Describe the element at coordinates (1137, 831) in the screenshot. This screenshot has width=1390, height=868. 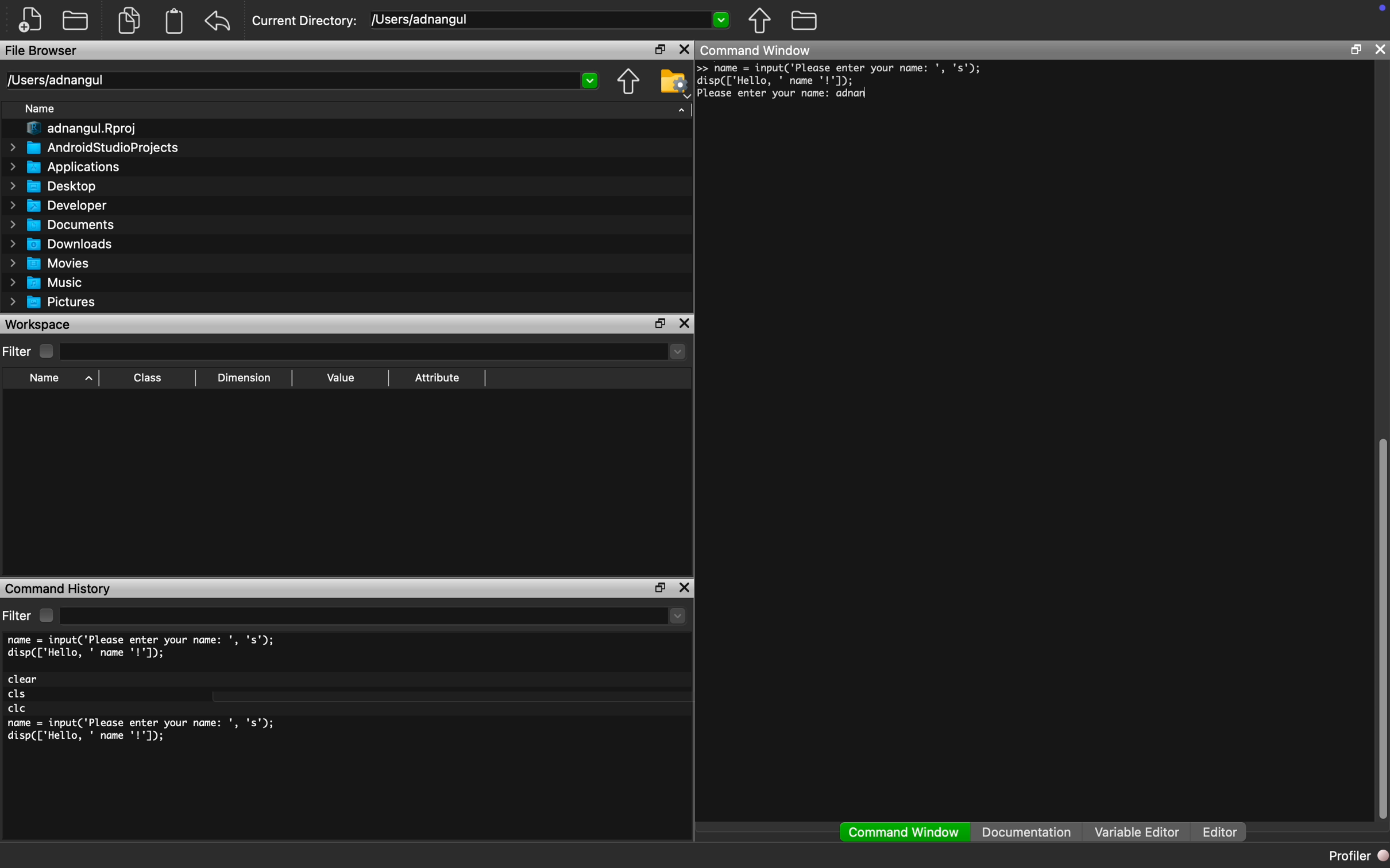
I see `Variable Editor` at that location.